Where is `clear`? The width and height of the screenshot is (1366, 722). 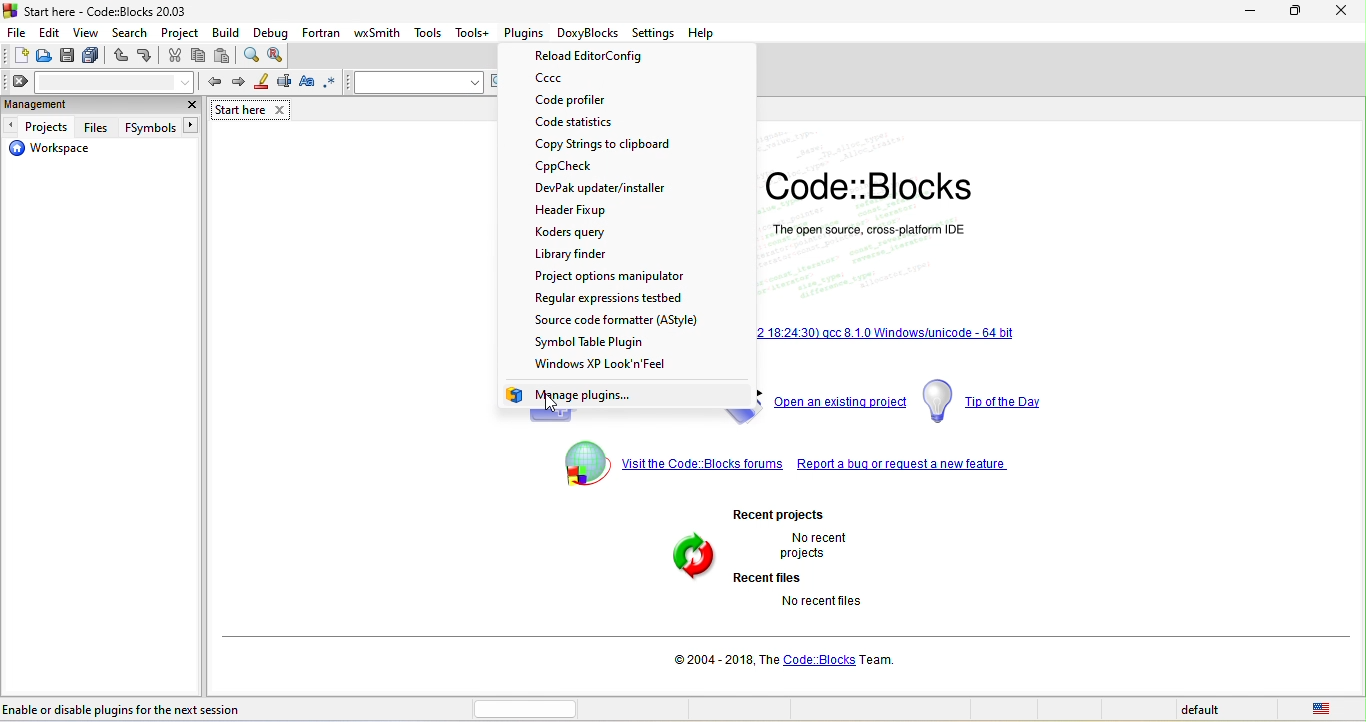
clear is located at coordinates (100, 81).